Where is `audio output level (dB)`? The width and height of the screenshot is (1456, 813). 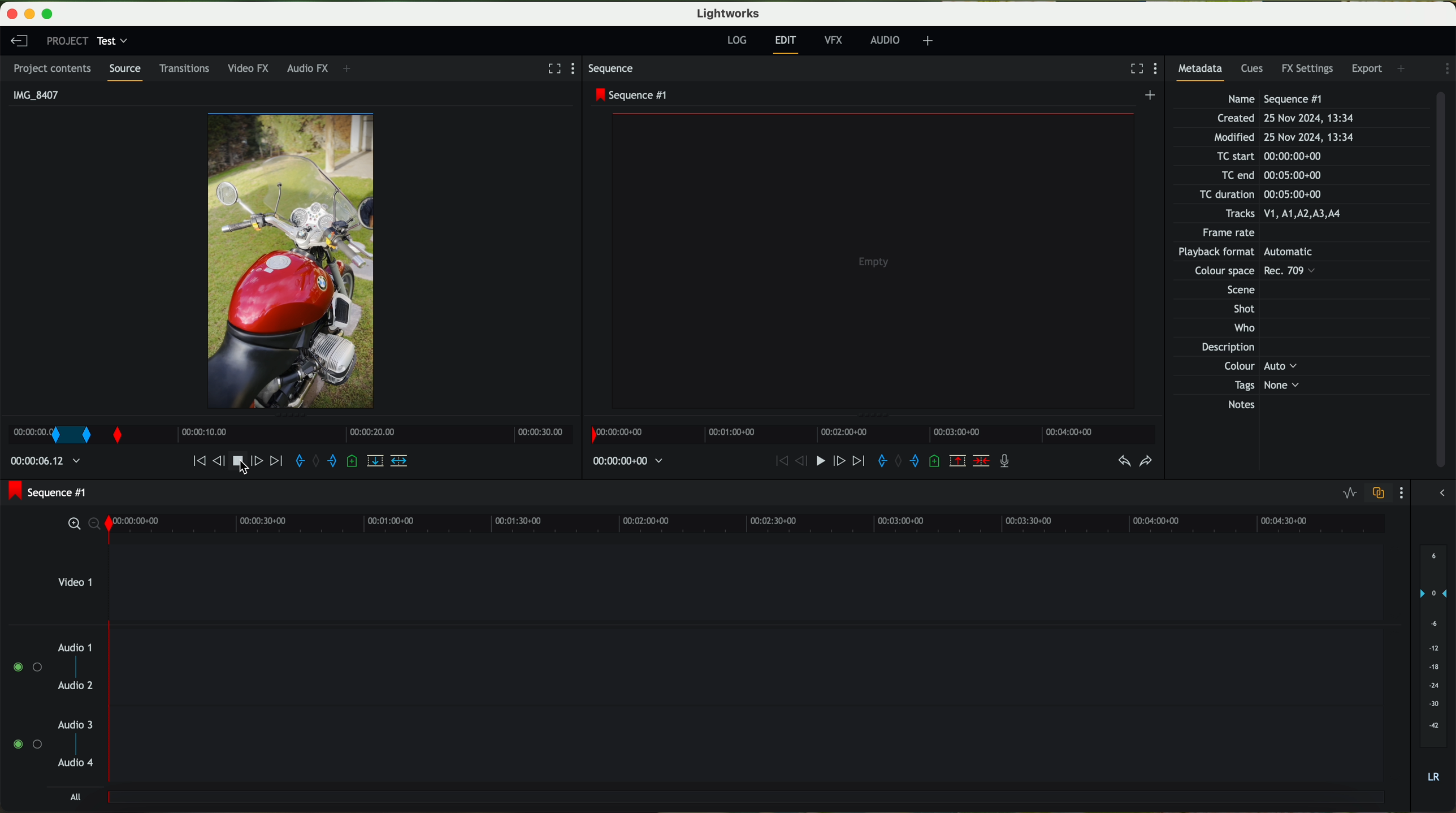 audio output level (dB) is located at coordinates (1431, 663).